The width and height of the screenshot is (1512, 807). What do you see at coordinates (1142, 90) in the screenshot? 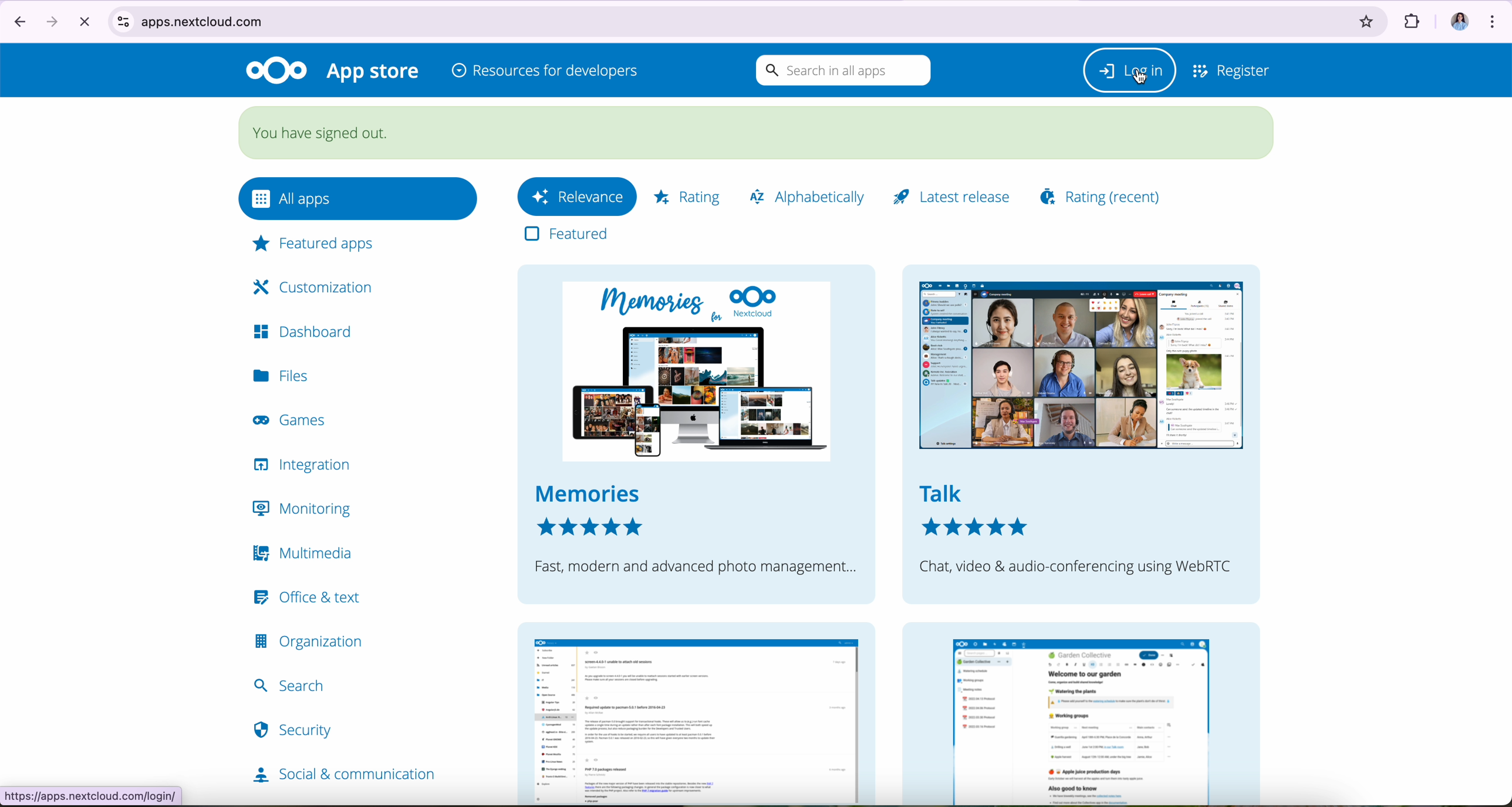
I see `cursor` at bounding box center [1142, 90].